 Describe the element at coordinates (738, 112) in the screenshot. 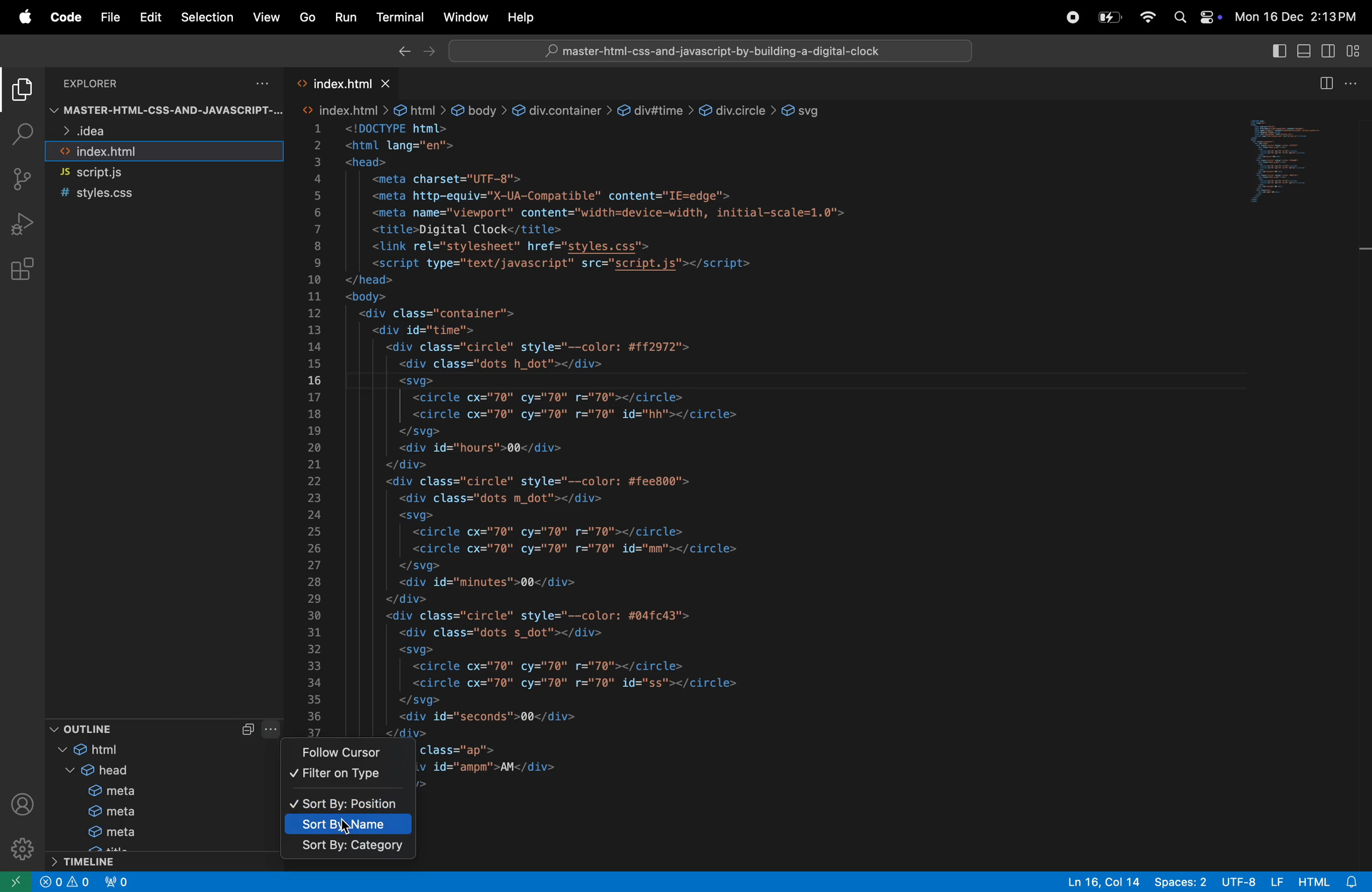

I see `div` at that location.